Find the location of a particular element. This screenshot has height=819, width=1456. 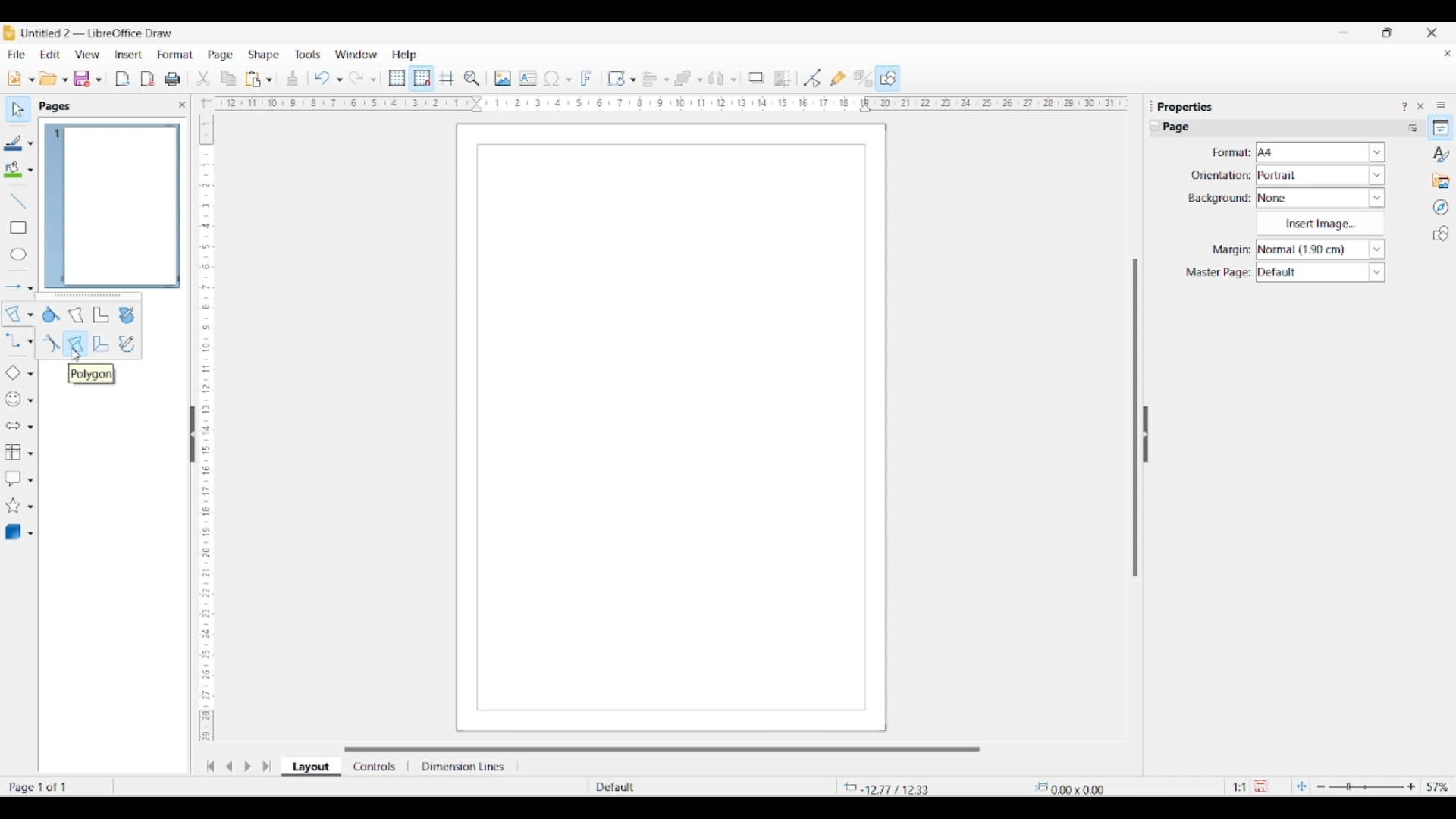

Open document options is located at coordinates (64, 80).